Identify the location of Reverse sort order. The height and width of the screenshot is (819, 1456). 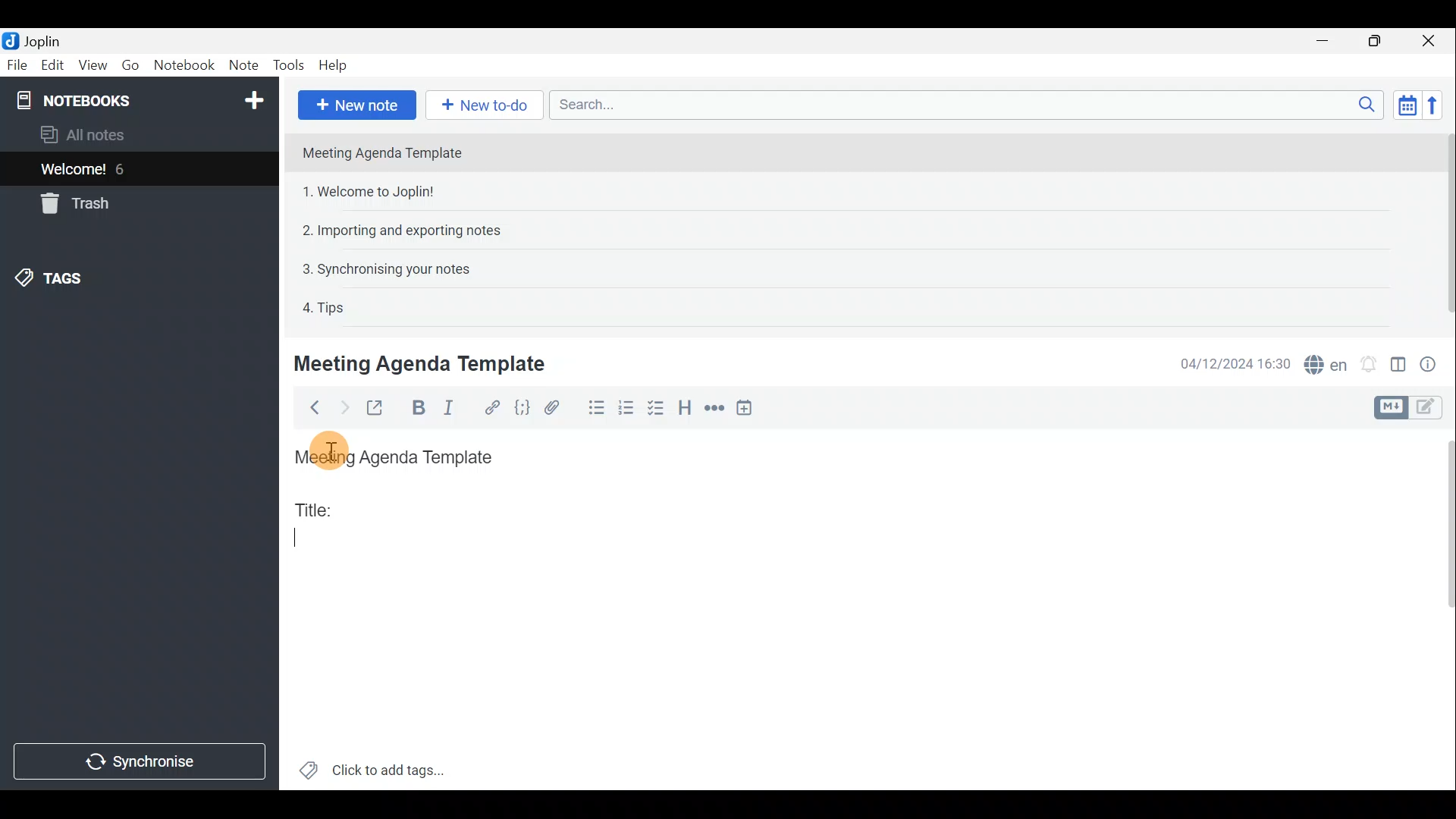
(1434, 105).